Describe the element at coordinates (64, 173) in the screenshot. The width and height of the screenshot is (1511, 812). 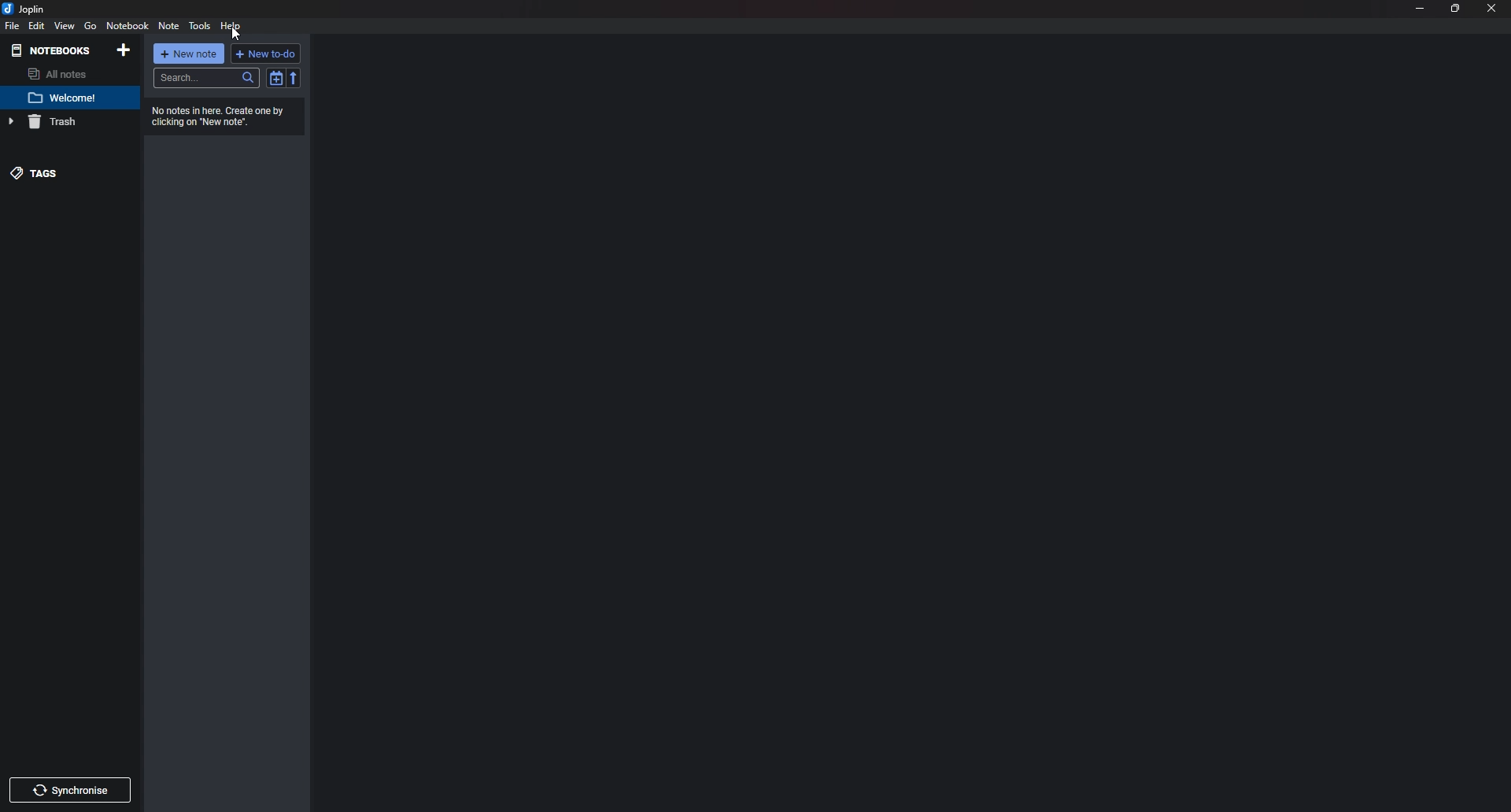
I see `tags` at that location.